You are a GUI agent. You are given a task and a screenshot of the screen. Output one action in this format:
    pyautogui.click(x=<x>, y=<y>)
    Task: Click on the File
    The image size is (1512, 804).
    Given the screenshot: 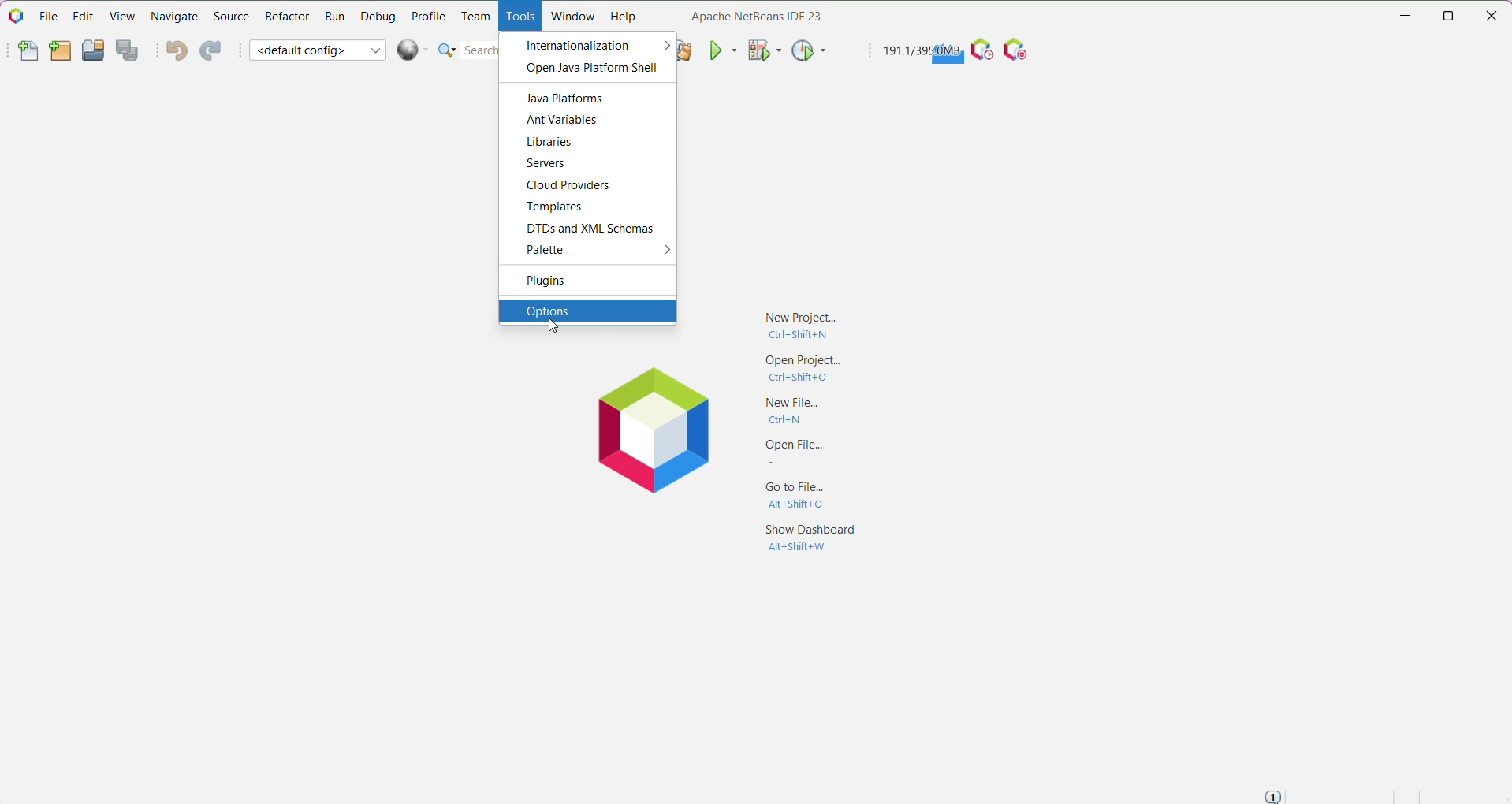 What is the action you would take?
    pyautogui.click(x=46, y=16)
    